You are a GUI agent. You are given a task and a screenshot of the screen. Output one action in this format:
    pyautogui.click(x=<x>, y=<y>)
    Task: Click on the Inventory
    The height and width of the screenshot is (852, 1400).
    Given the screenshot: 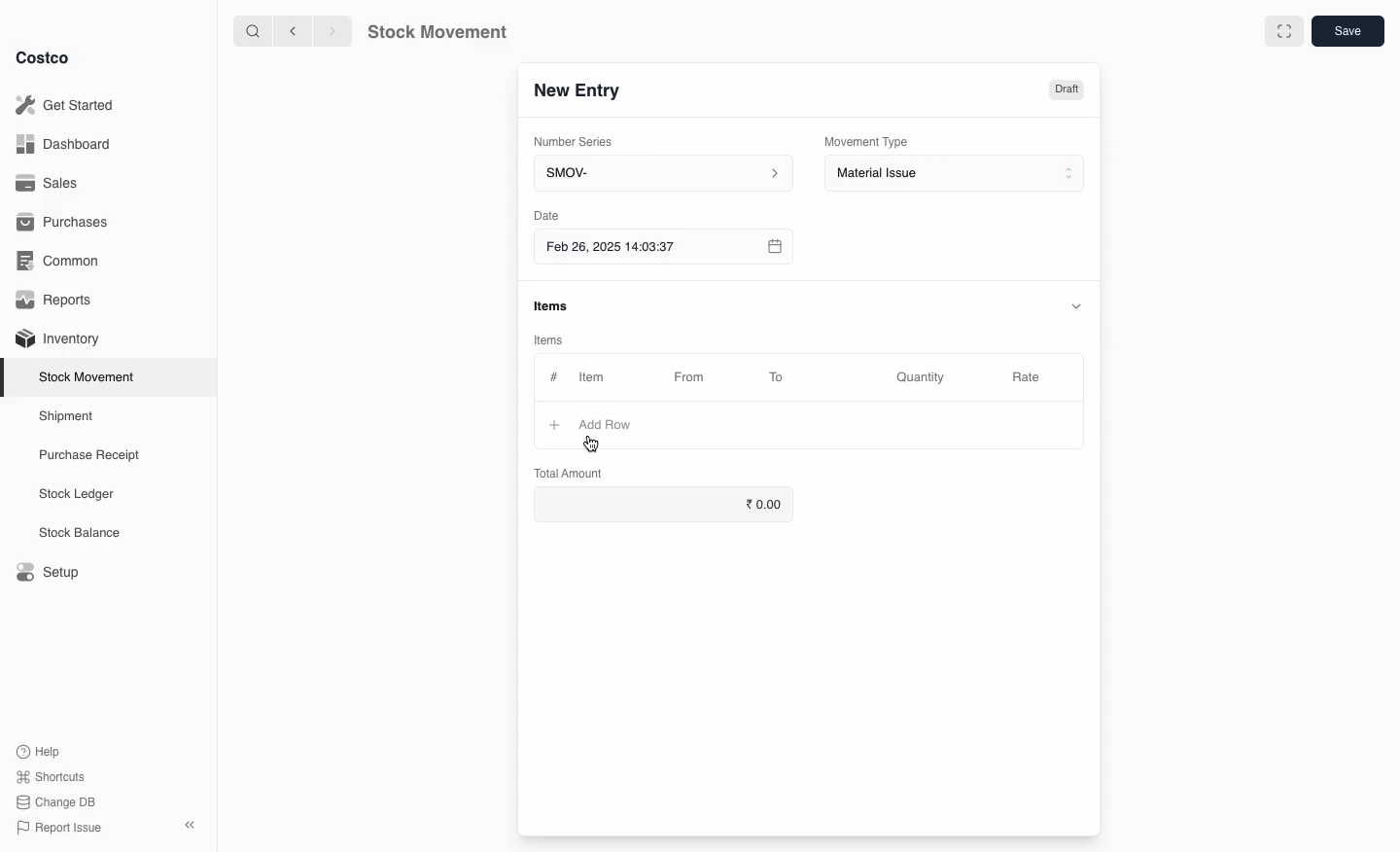 What is the action you would take?
    pyautogui.click(x=60, y=339)
    